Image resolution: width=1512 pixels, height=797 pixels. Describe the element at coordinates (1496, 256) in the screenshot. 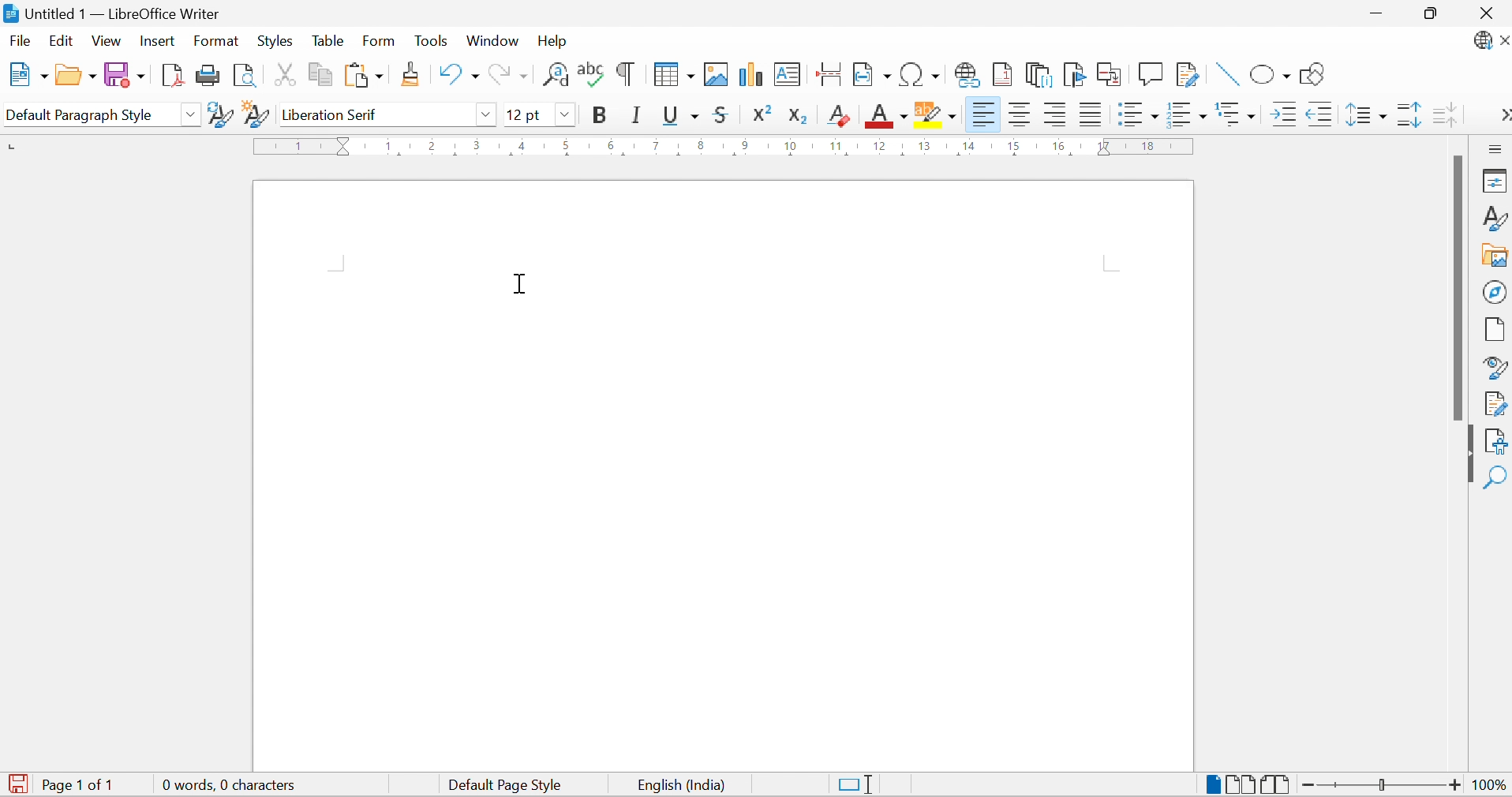

I see `Gallery` at that location.